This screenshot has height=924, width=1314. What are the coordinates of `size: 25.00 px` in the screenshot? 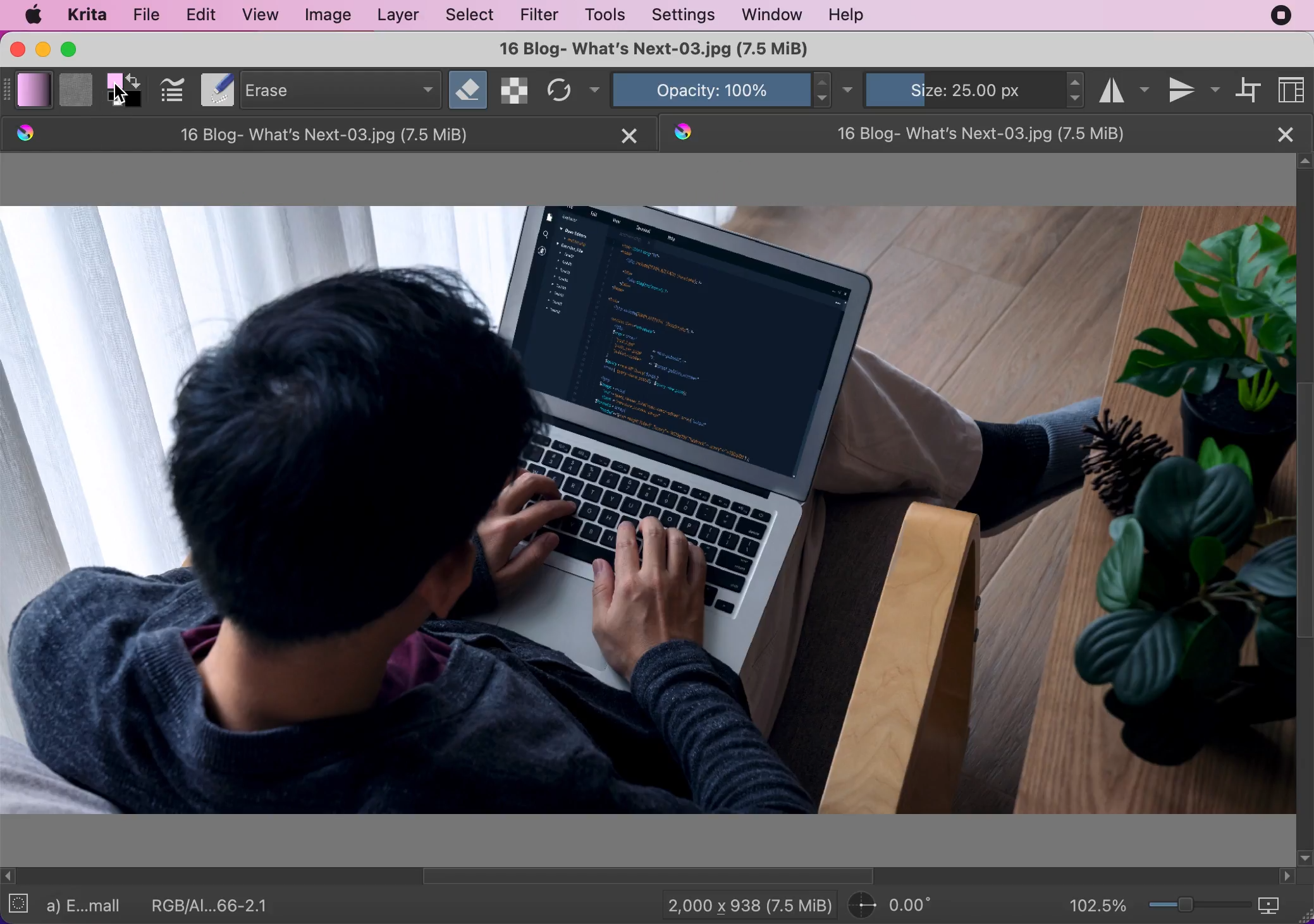 It's located at (962, 89).